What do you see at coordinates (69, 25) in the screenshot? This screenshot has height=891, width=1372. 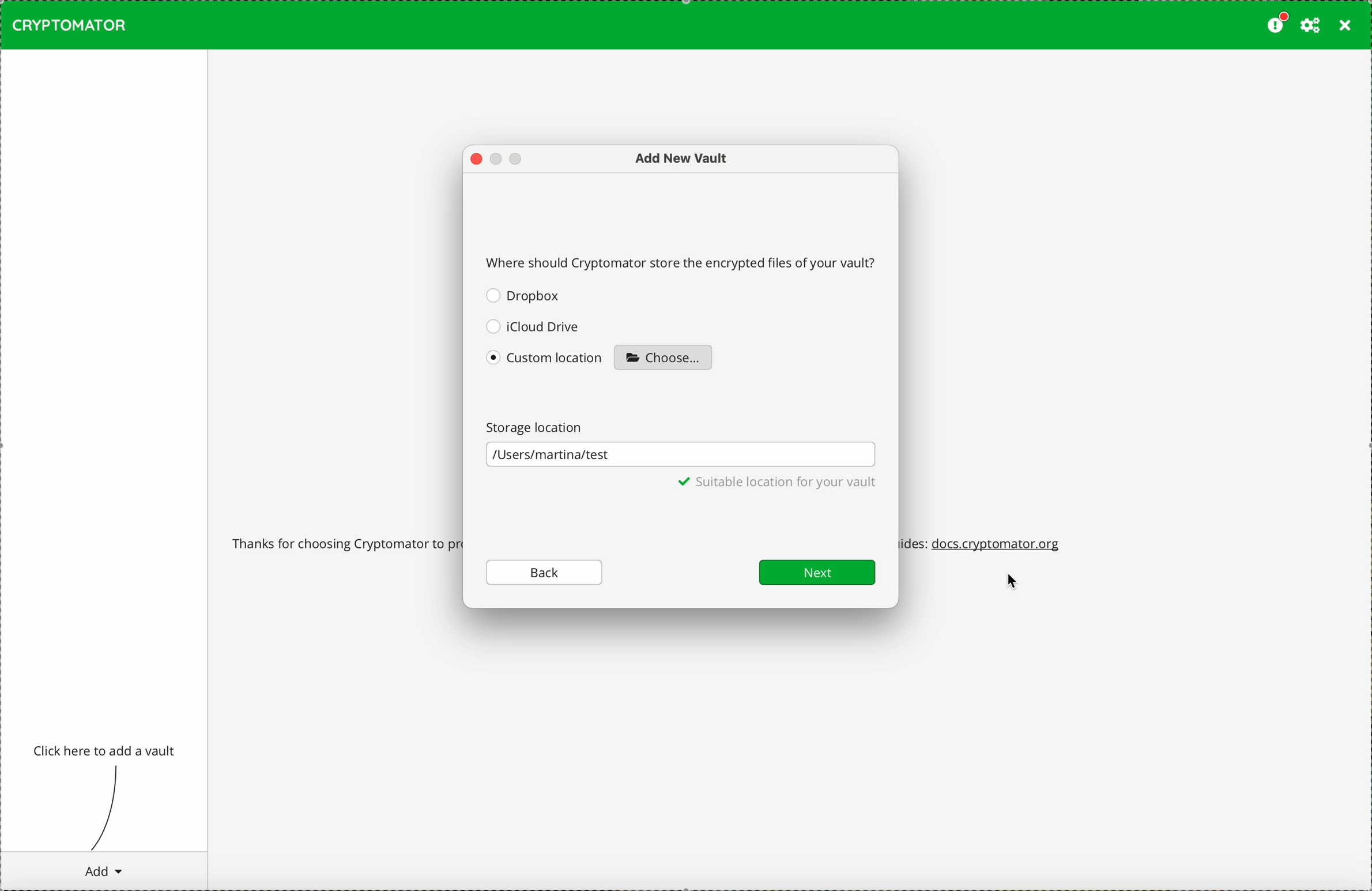 I see `CRYPTOMATOR` at bounding box center [69, 25].